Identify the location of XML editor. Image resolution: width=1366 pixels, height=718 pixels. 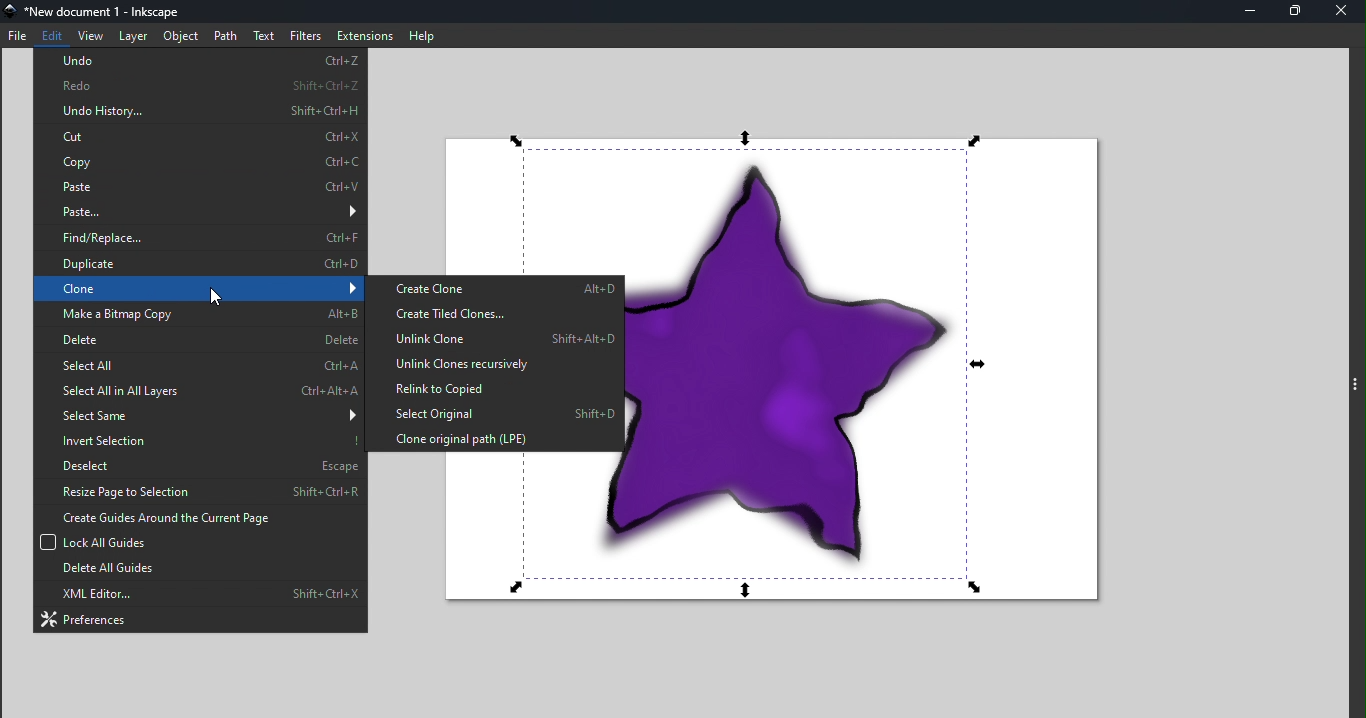
(203, 595).